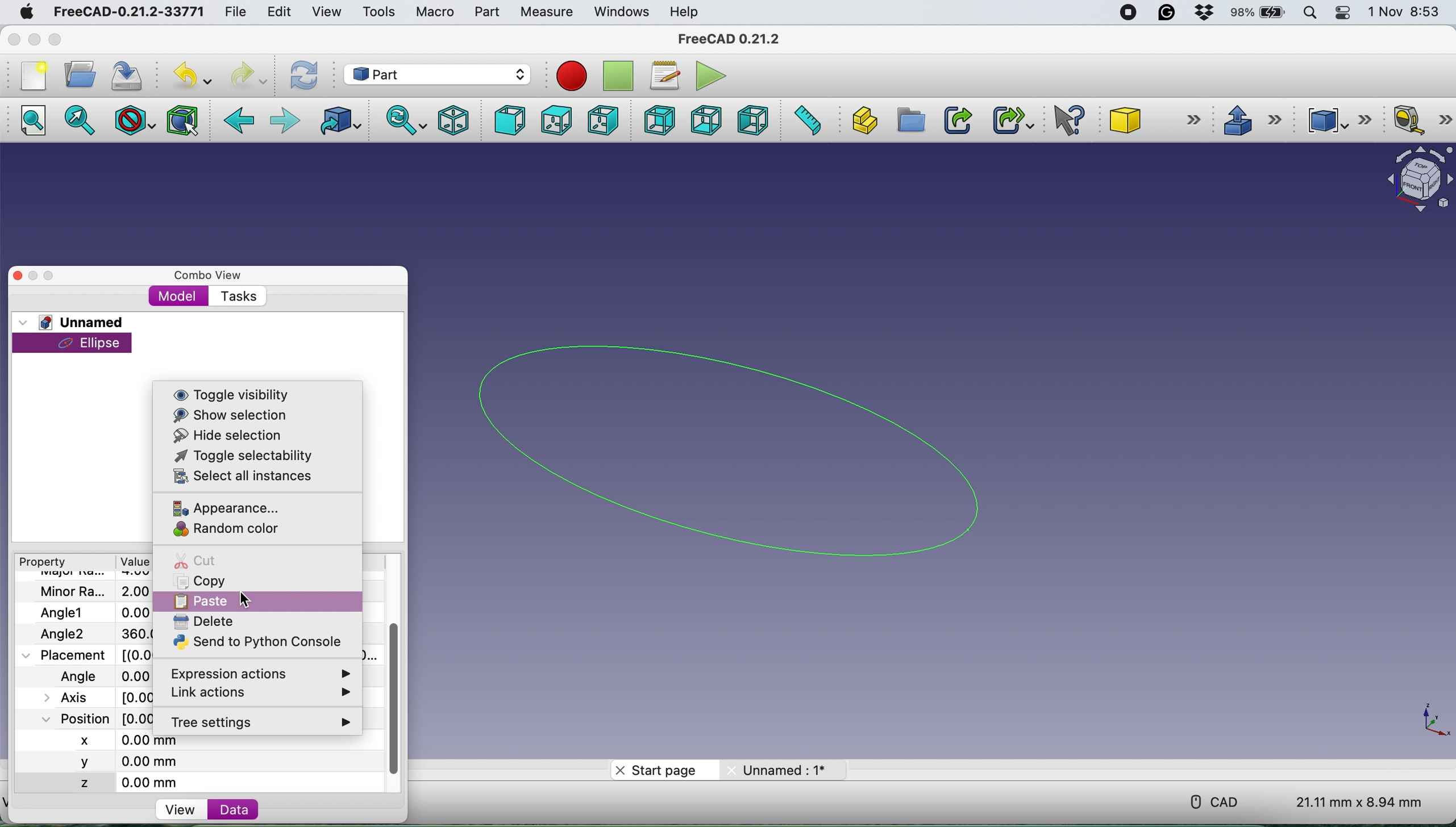 This screenshot has height=827, width=1456. Describe the element at coordinates (751, 448) in the screenshot. I see `ellipse` at that location.